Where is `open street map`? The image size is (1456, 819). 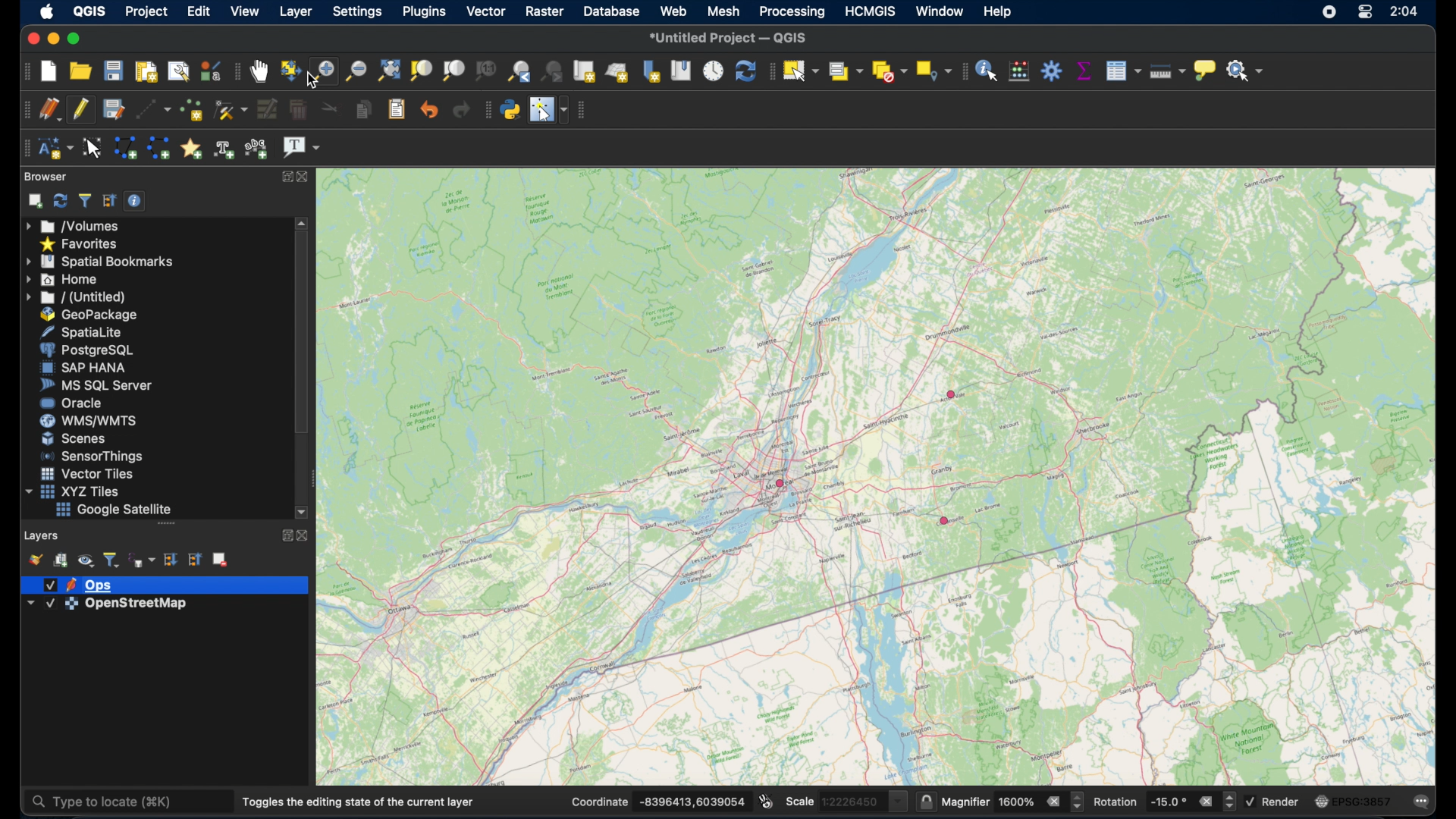
open street map is located at coordinates (621, 398).